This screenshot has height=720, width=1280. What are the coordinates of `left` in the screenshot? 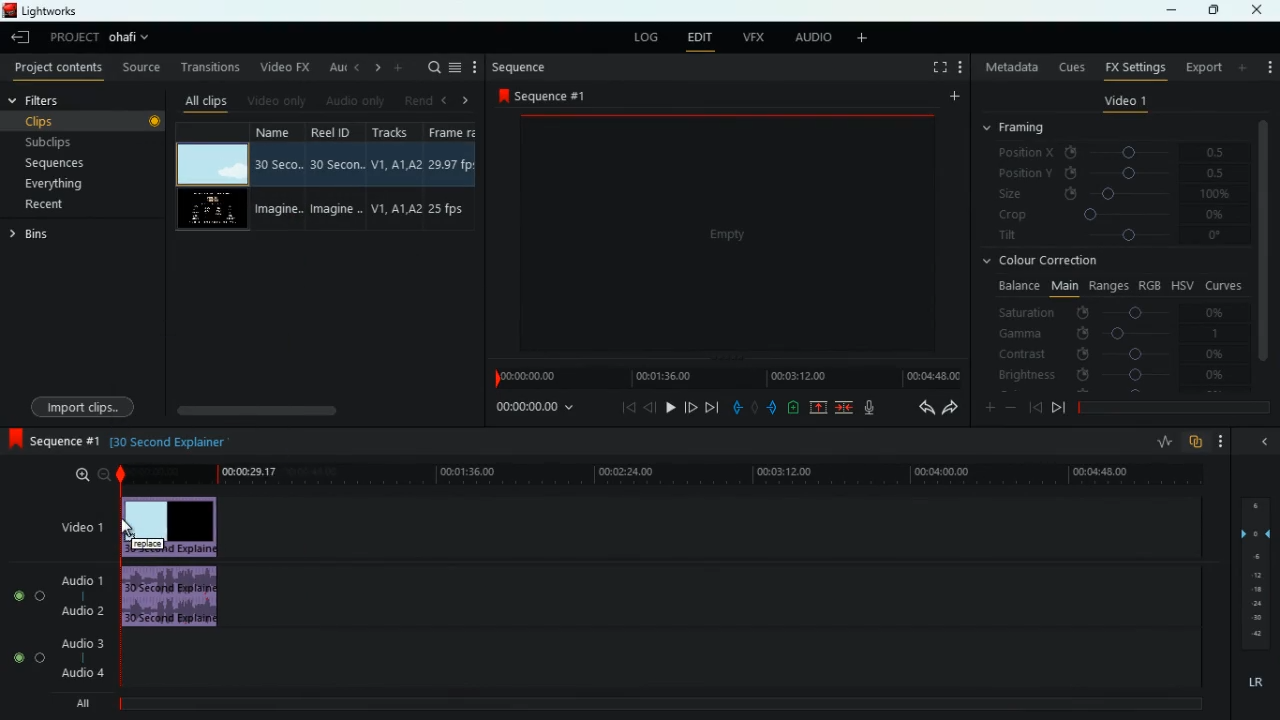 It's located at (446, 99).